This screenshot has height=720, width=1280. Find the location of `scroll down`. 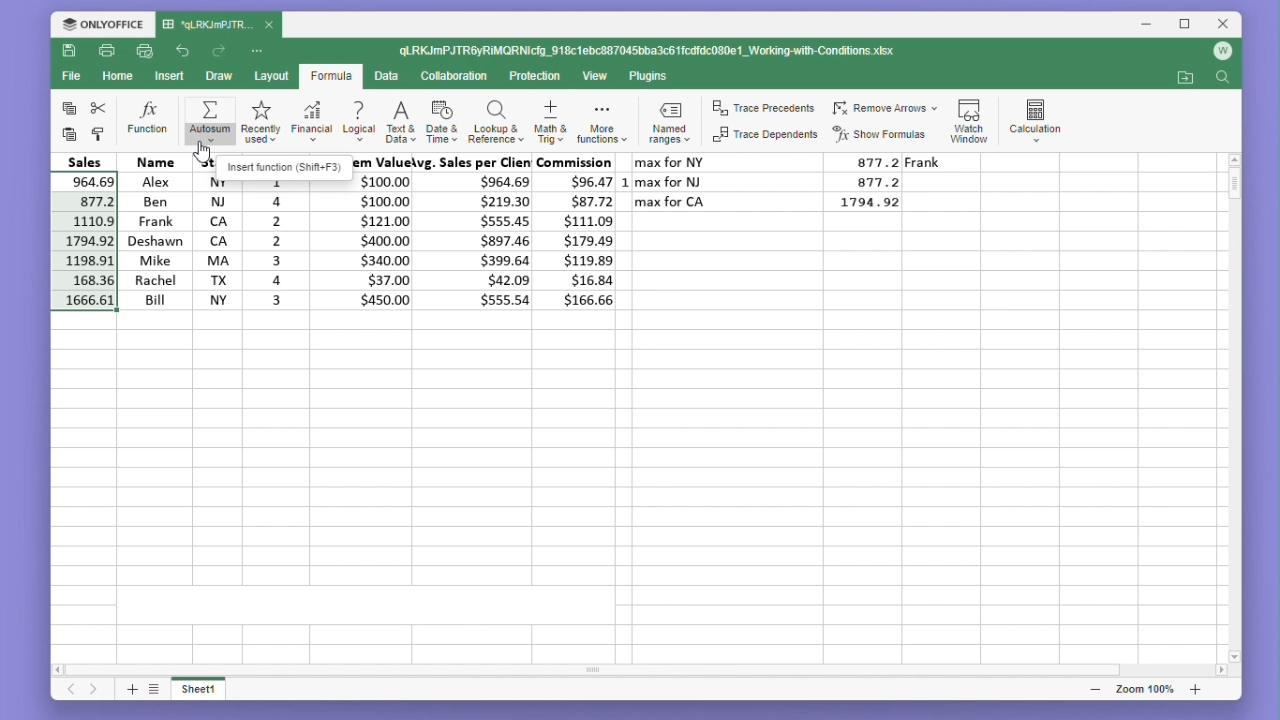

scroll down is located at coordinates (1235, 656).